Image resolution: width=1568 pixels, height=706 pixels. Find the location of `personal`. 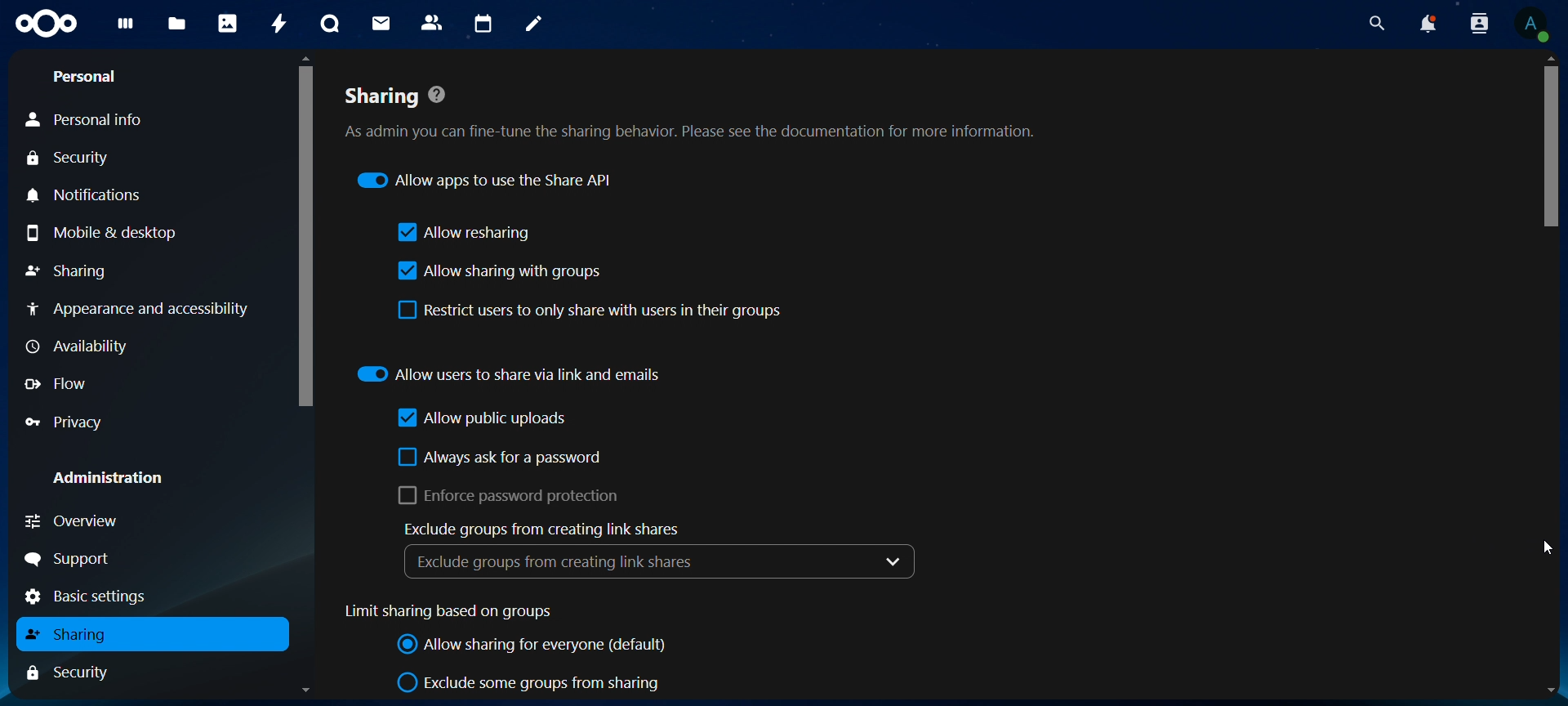

personal is located at coordinates (90, 77).